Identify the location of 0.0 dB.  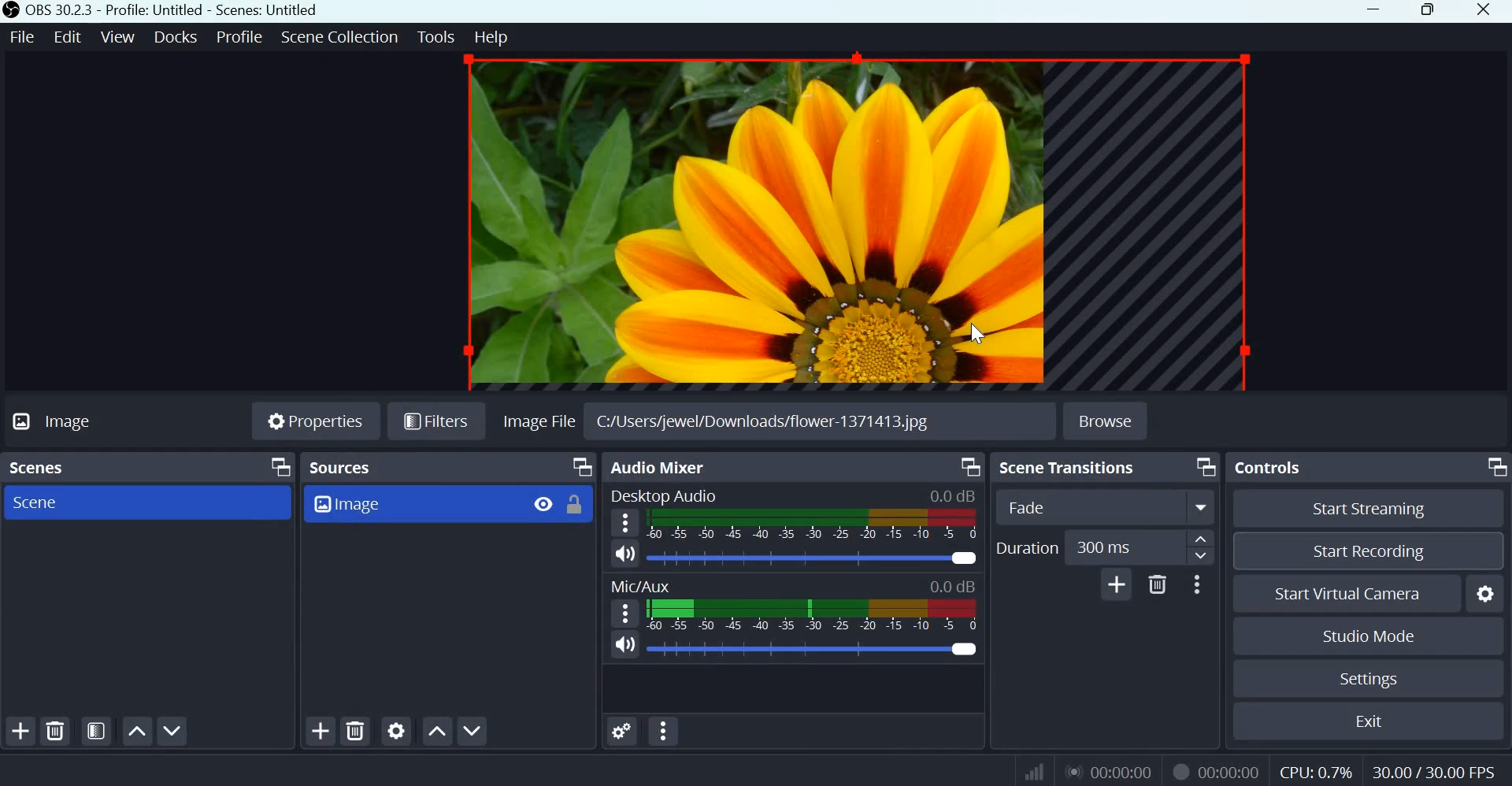
(953, 585).